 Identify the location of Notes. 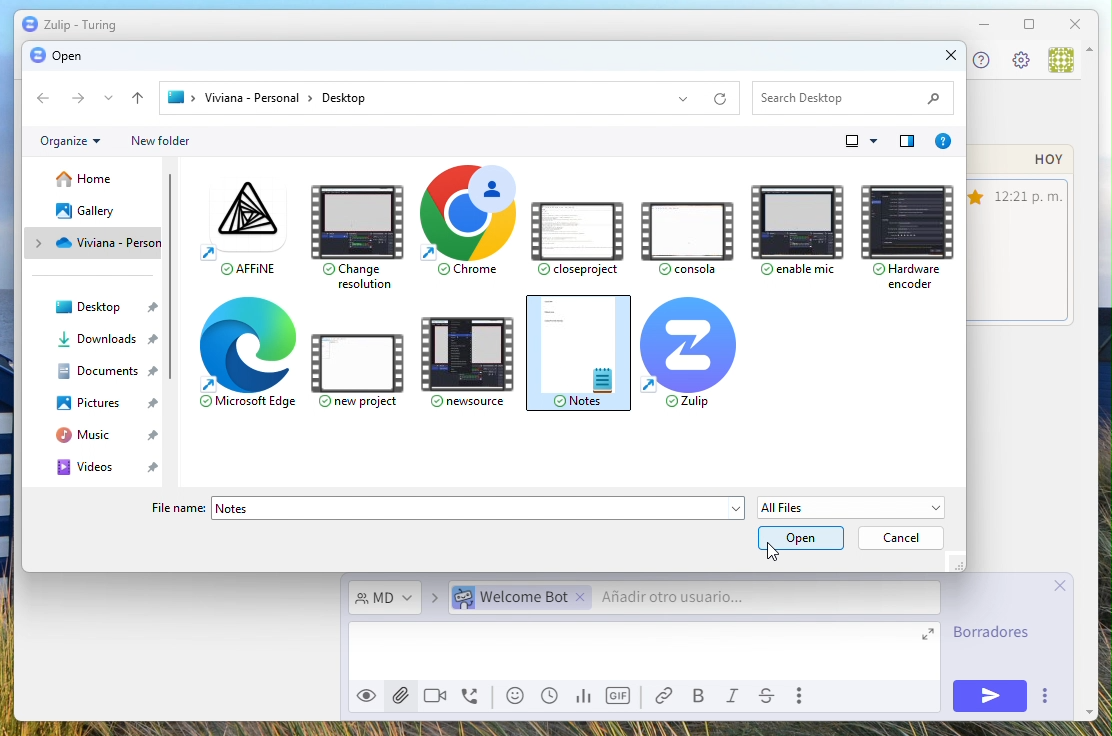
(479, 508).